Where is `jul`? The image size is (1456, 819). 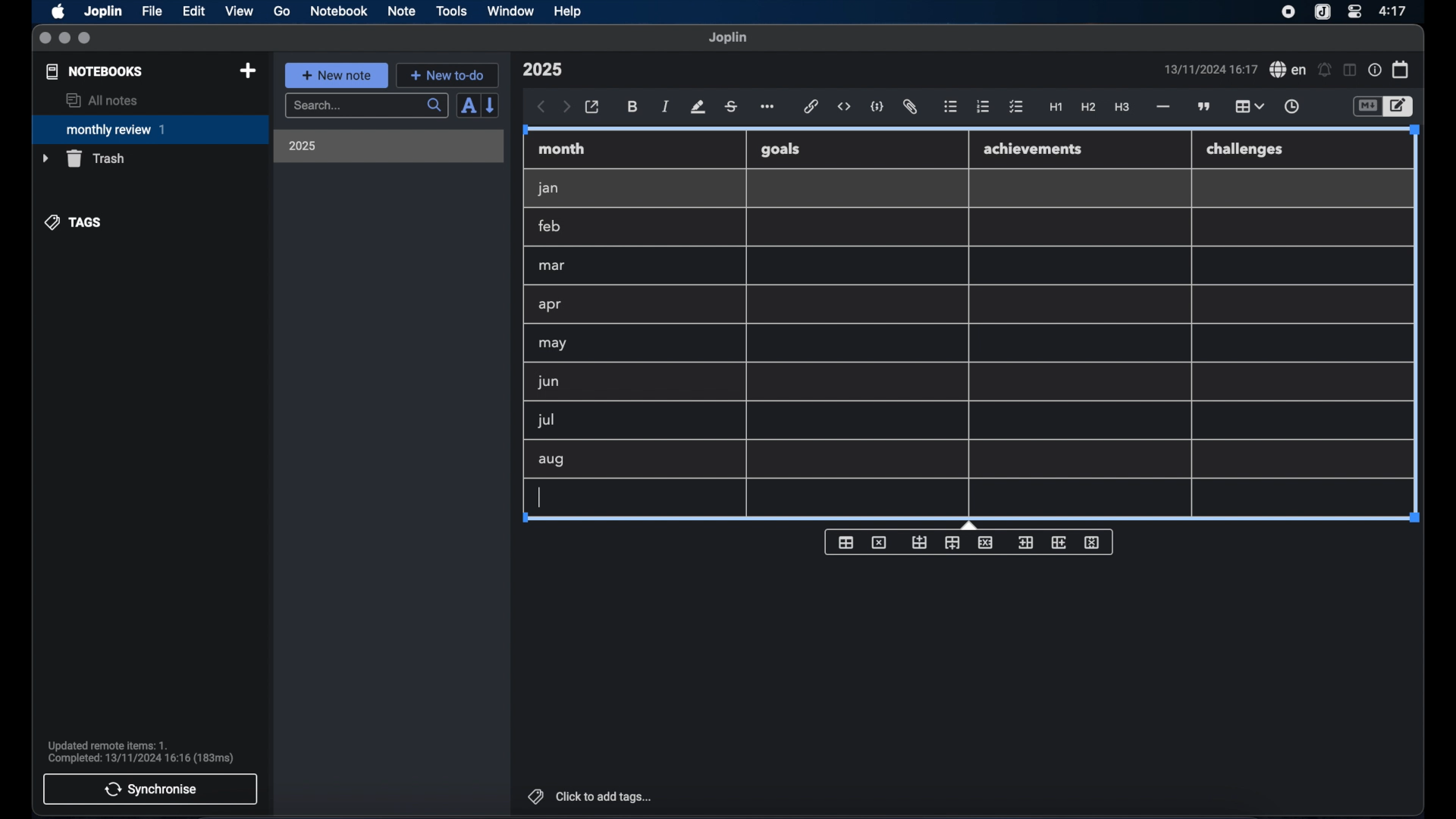
jul is located at coordinates (544, 421).